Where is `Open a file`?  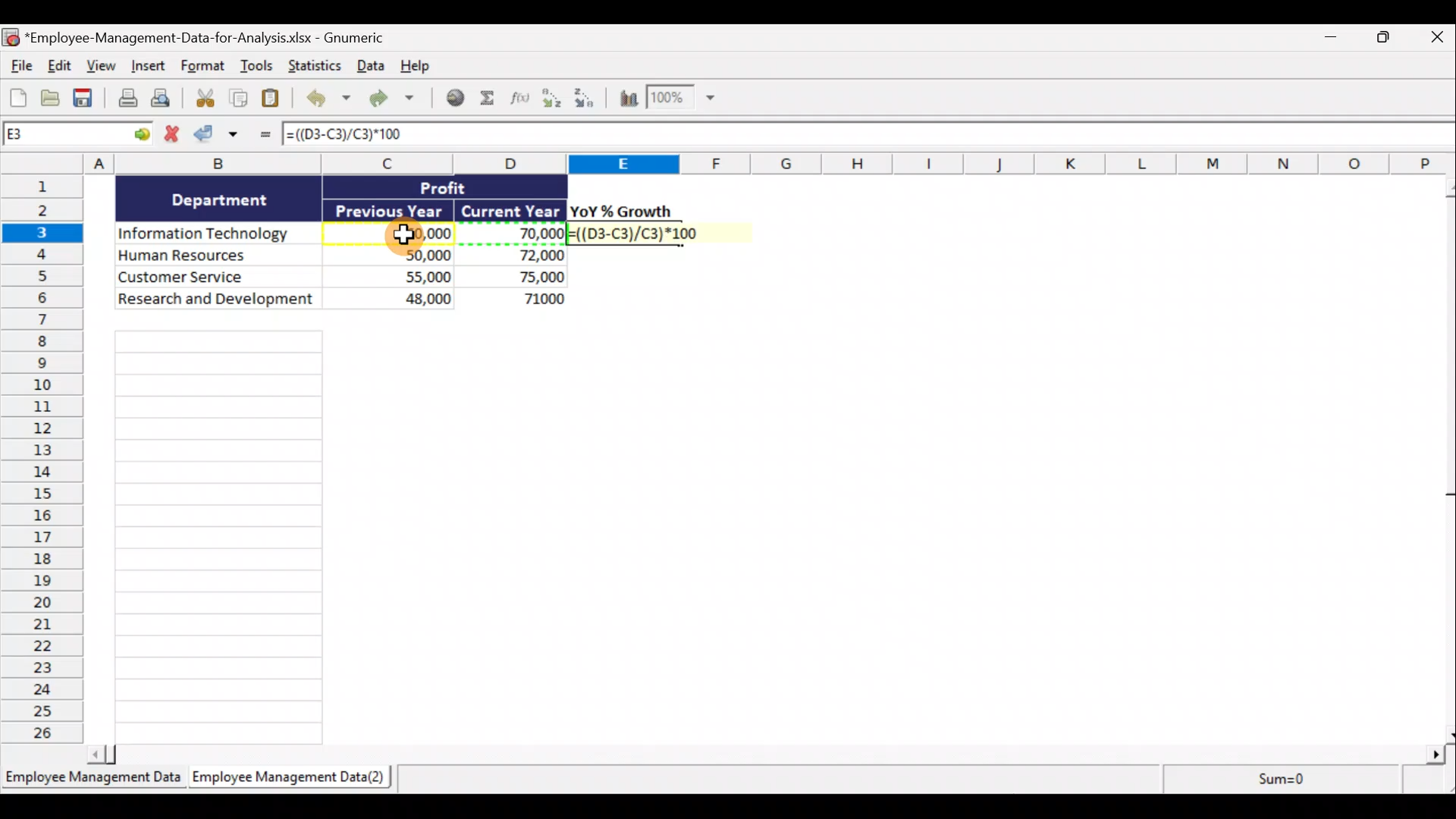
Open a file is located at coordinates (52, 98).